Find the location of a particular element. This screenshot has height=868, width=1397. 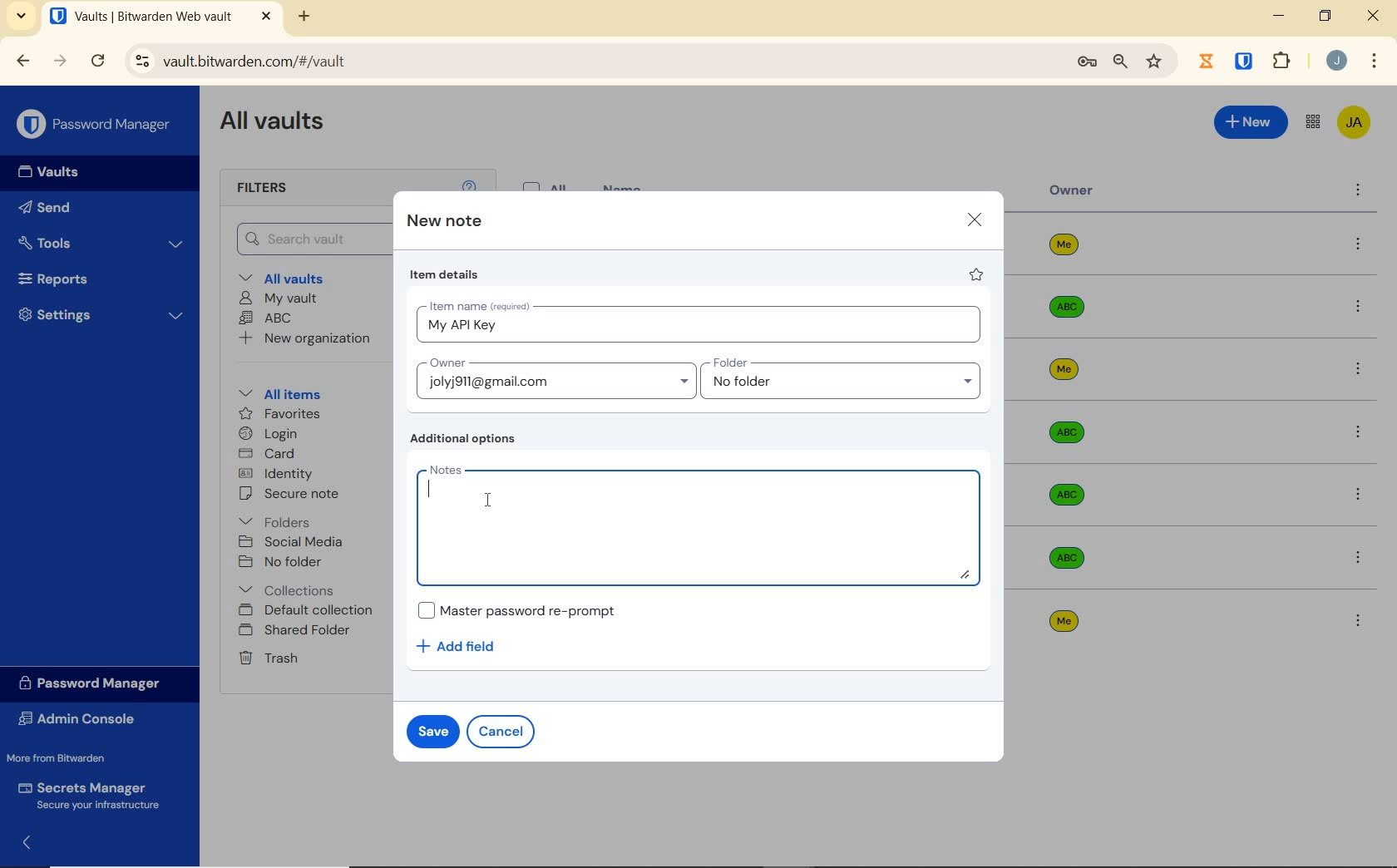

Input Owner is located at coordinates (553, 377).